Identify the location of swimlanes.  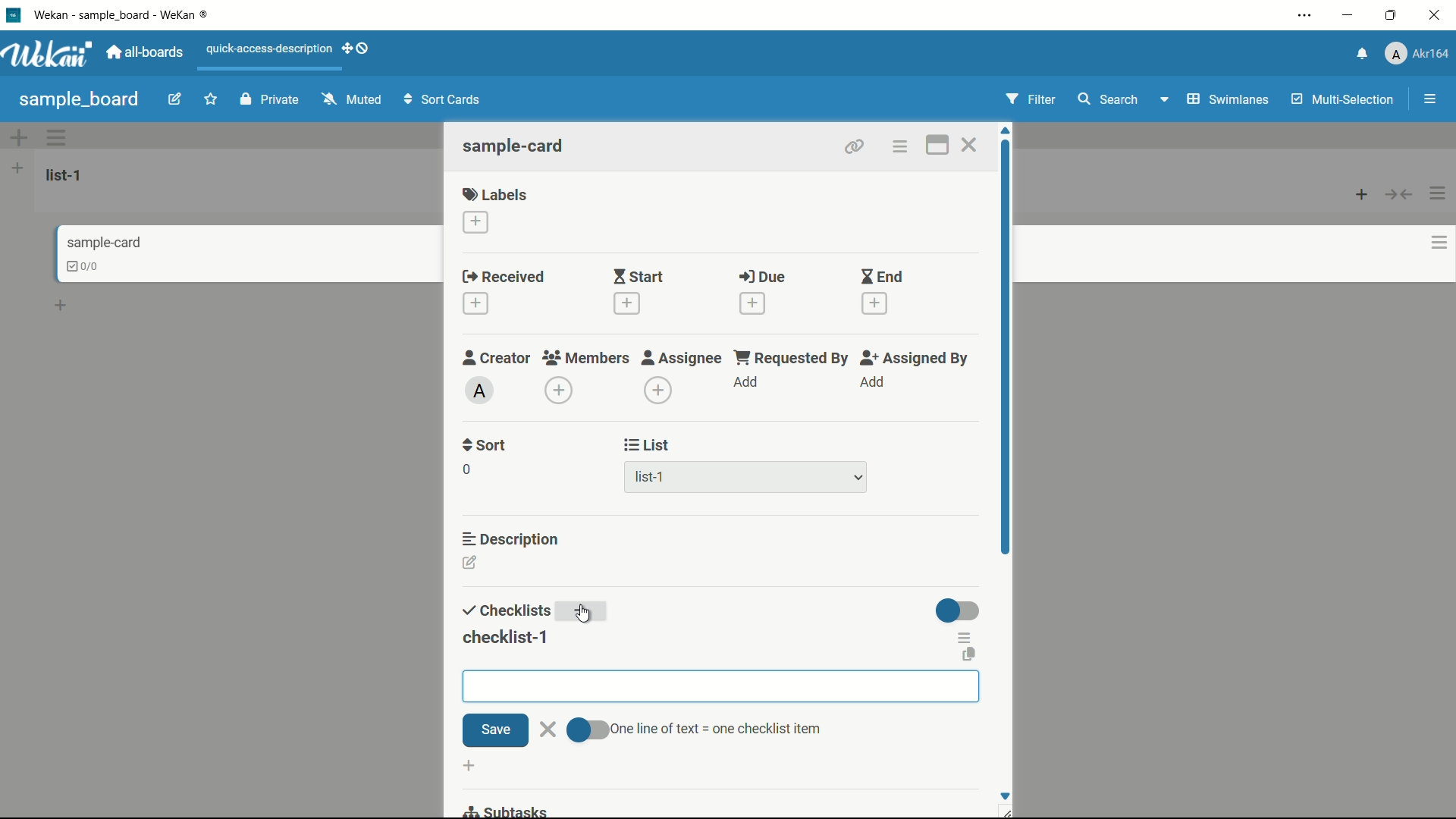
(1226, 99).